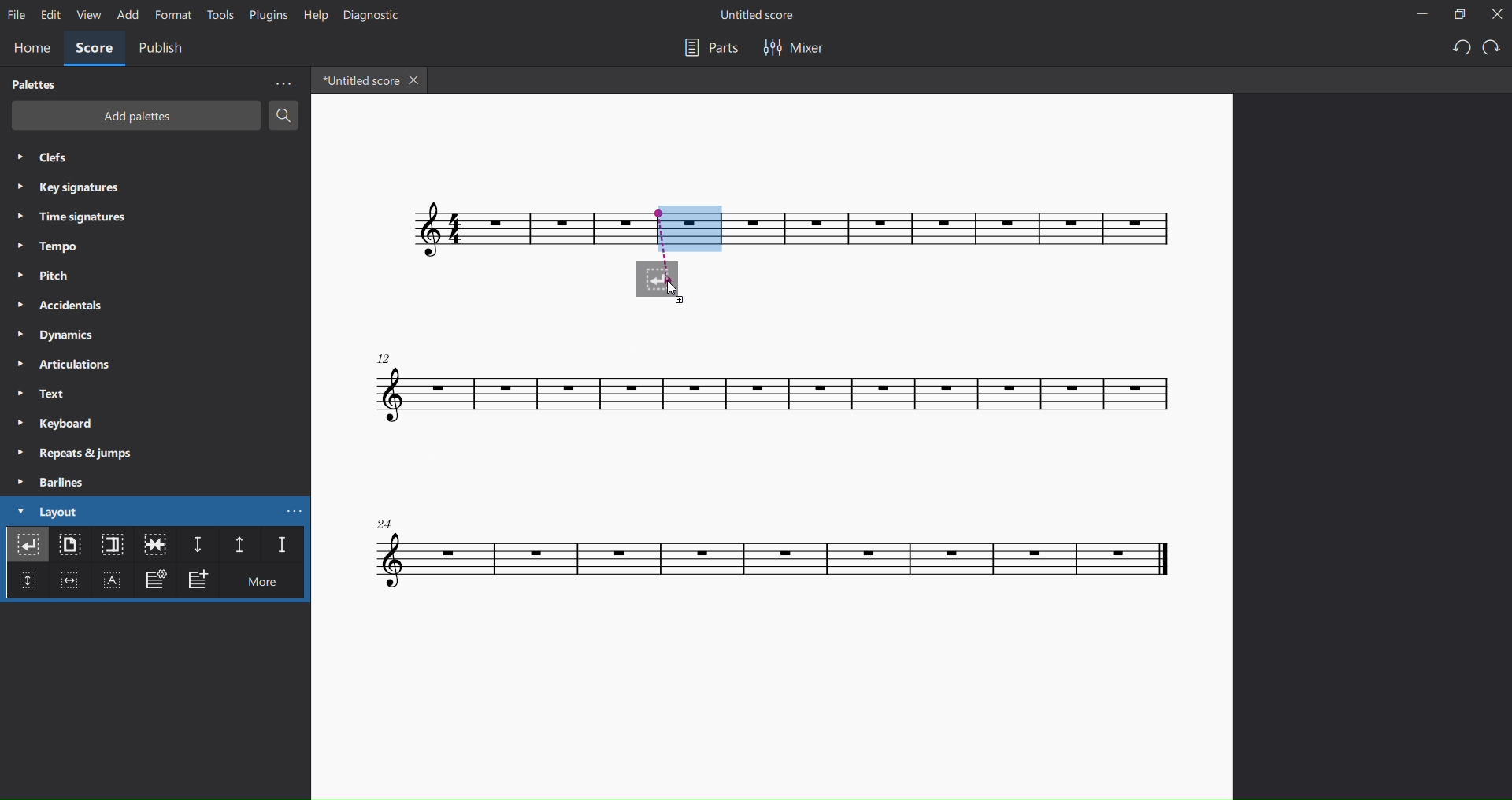 This screenshot has height=800, width=1512. Describe the element at coordinates (114, 583) in the screenshot. I see `text frame` at that location.